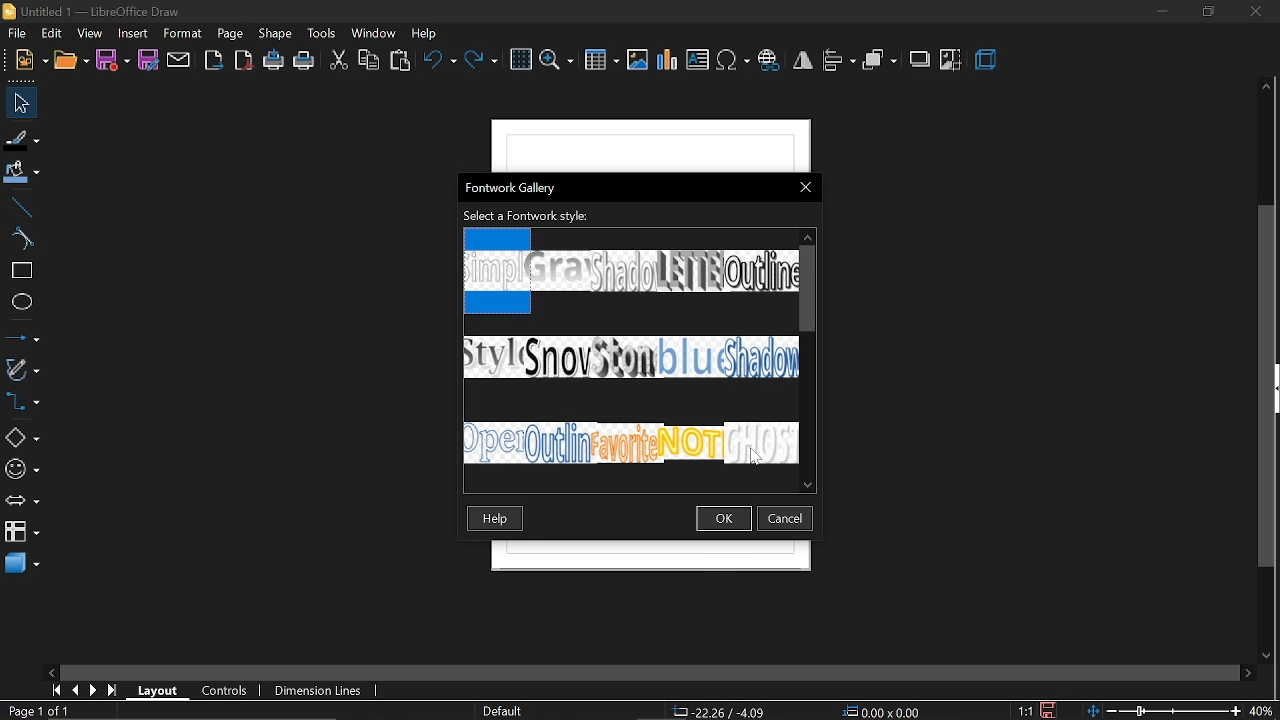 Image resolution: width=1280 pixels, height=720 pixels. Describe the element at coordinates (149, 60) in the screenshot. I see `save as` at that location.